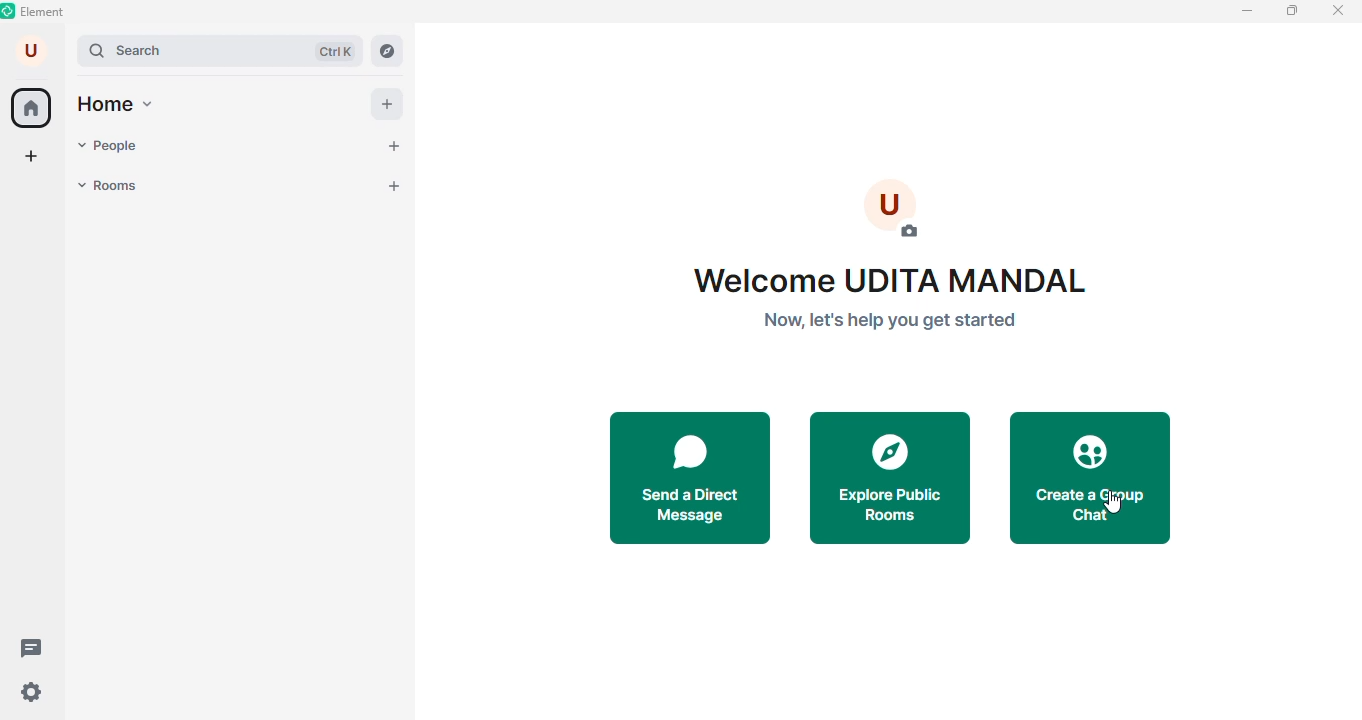 Image resolution: width=1362 pixels, height=720 pixels. I want to click on create a group chat, so click(1090, 476).